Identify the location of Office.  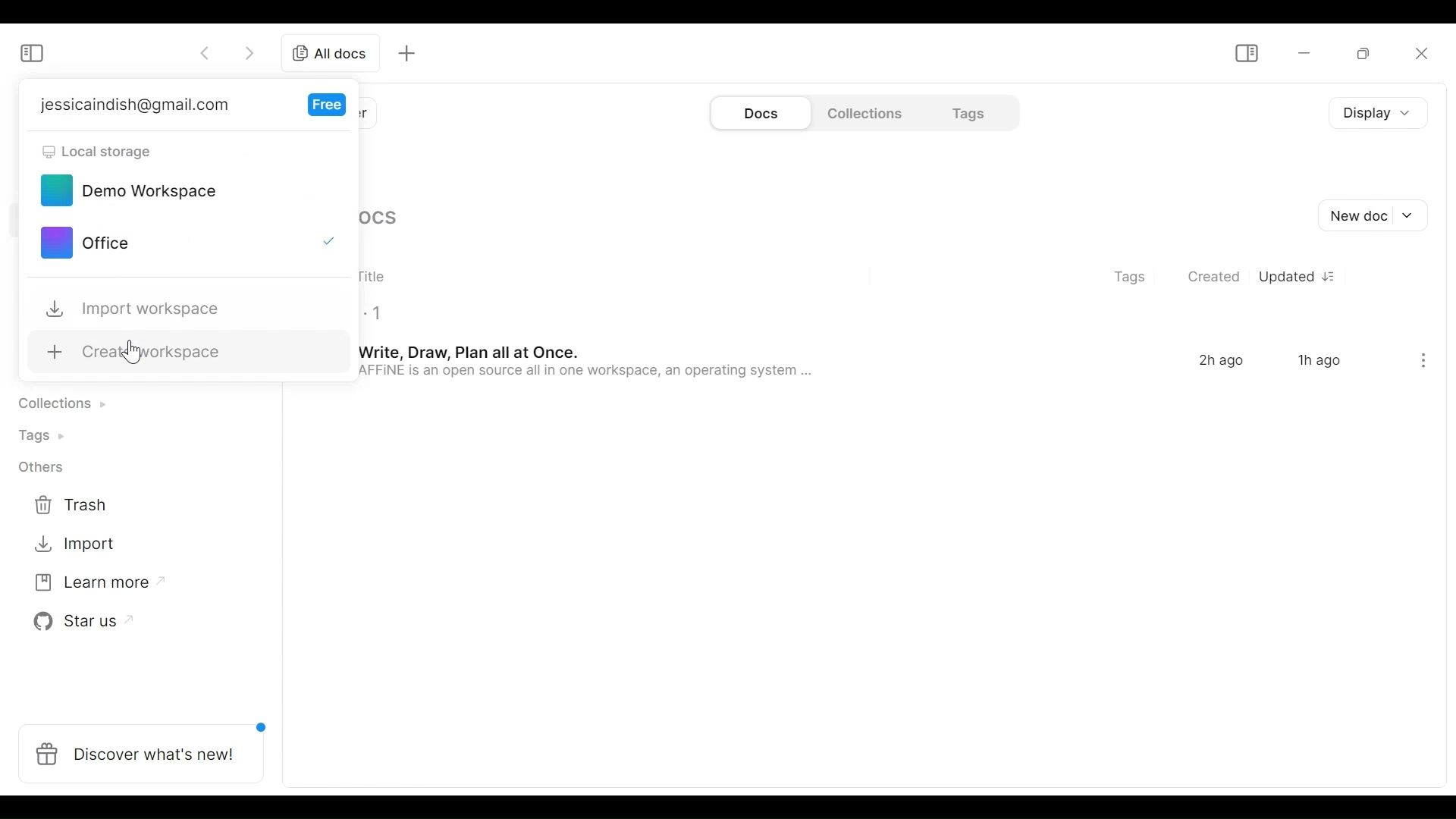
(190, 243).